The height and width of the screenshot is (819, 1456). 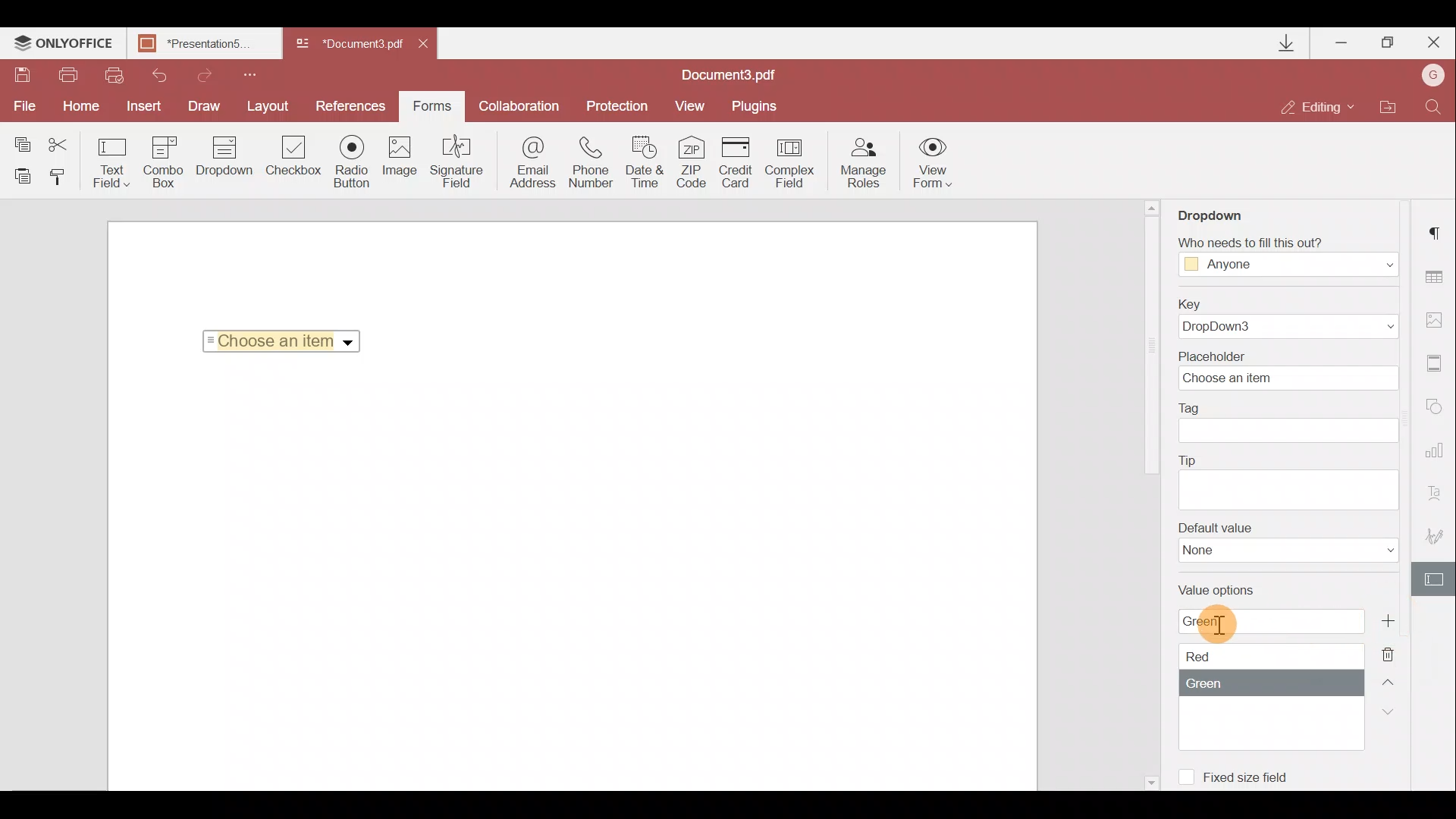 I want to click on Plugins, so click(x=756, y=107).